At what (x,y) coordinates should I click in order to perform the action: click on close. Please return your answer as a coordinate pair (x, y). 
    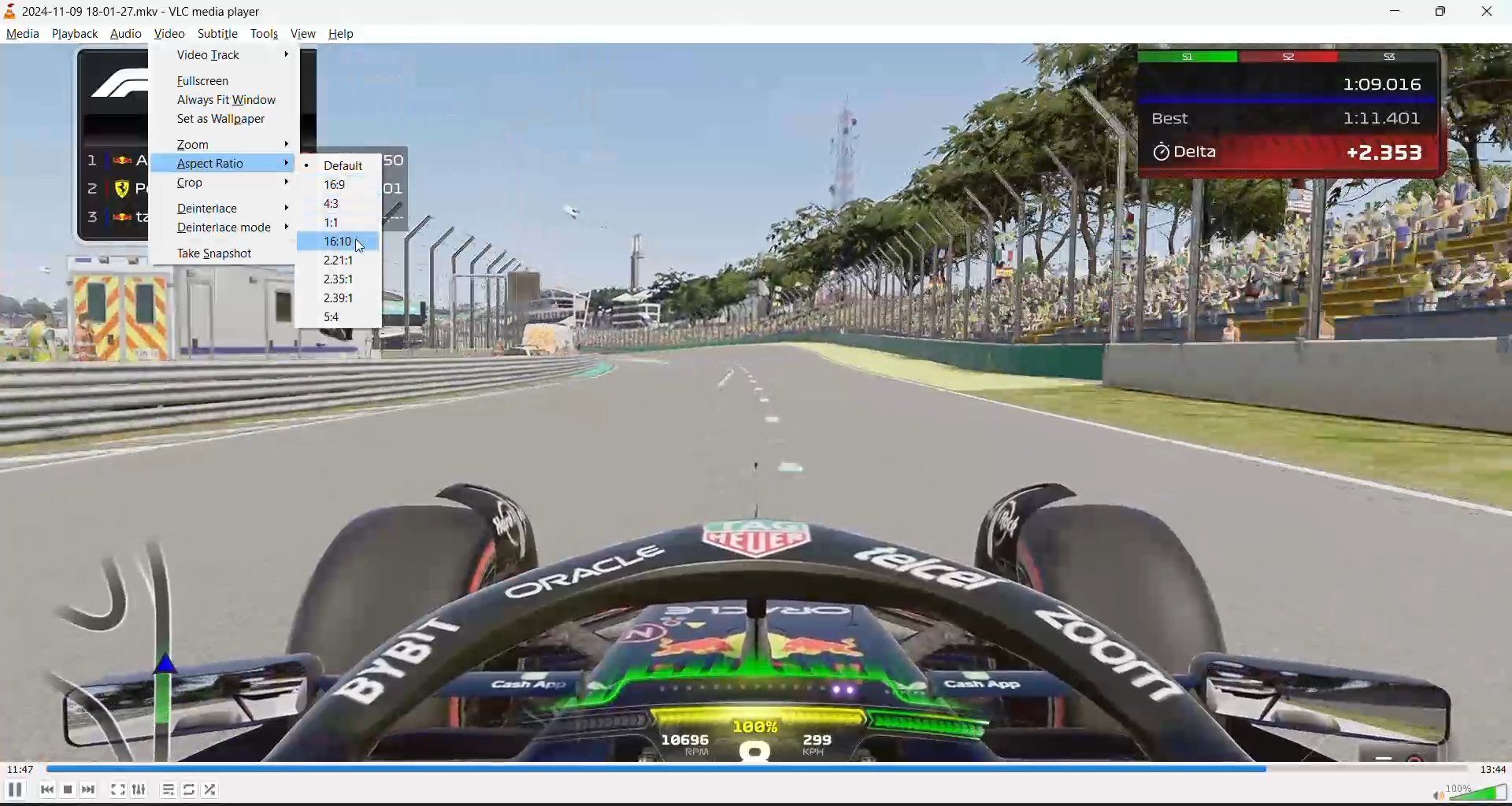
    Looking at the image, I should click on (1493, 12).